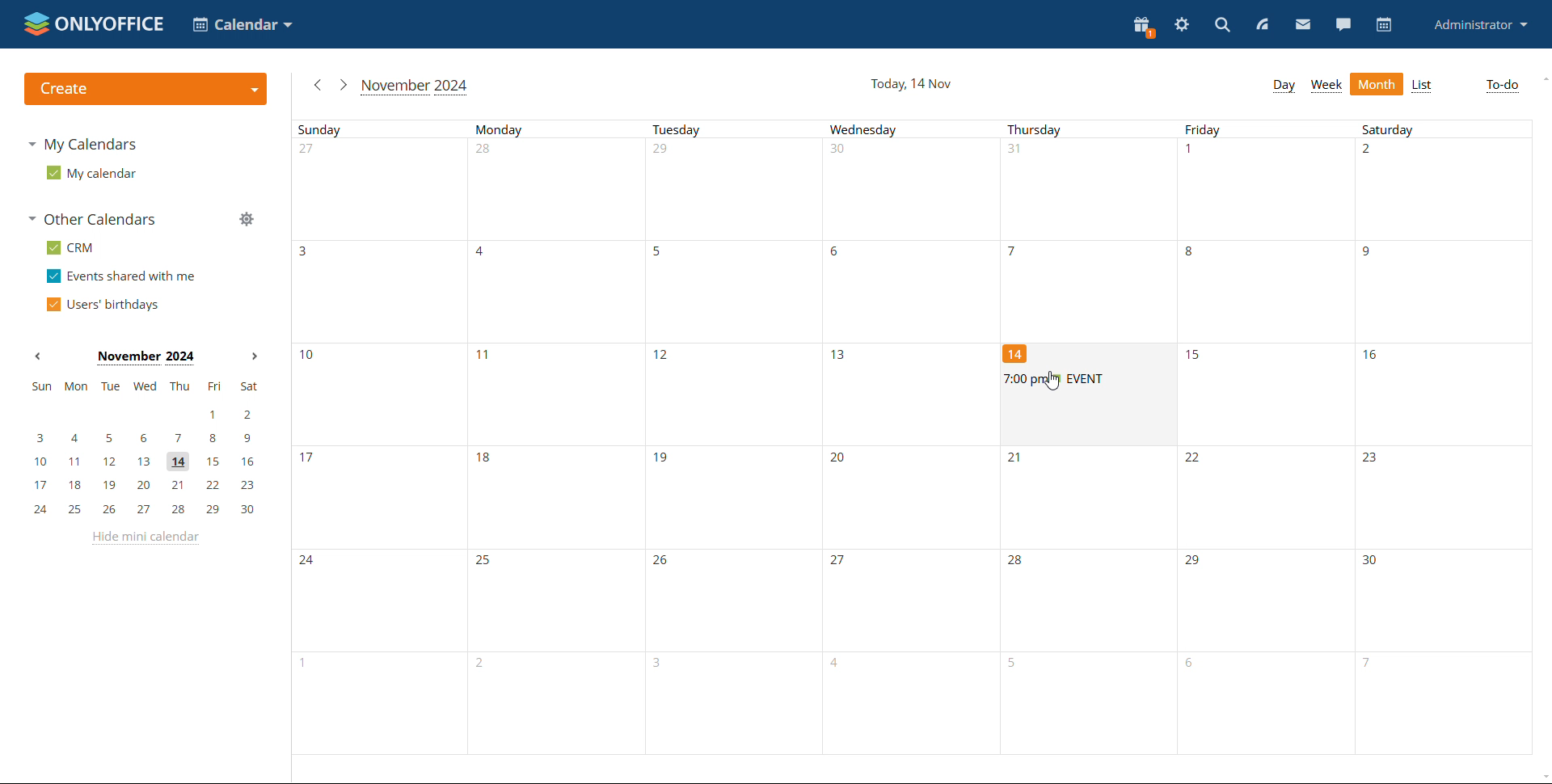 The height and width of the screenshot is (784, 1552). Describe the element at coordinates (1478, 26) in the screenshot. I see `profile` at that location.